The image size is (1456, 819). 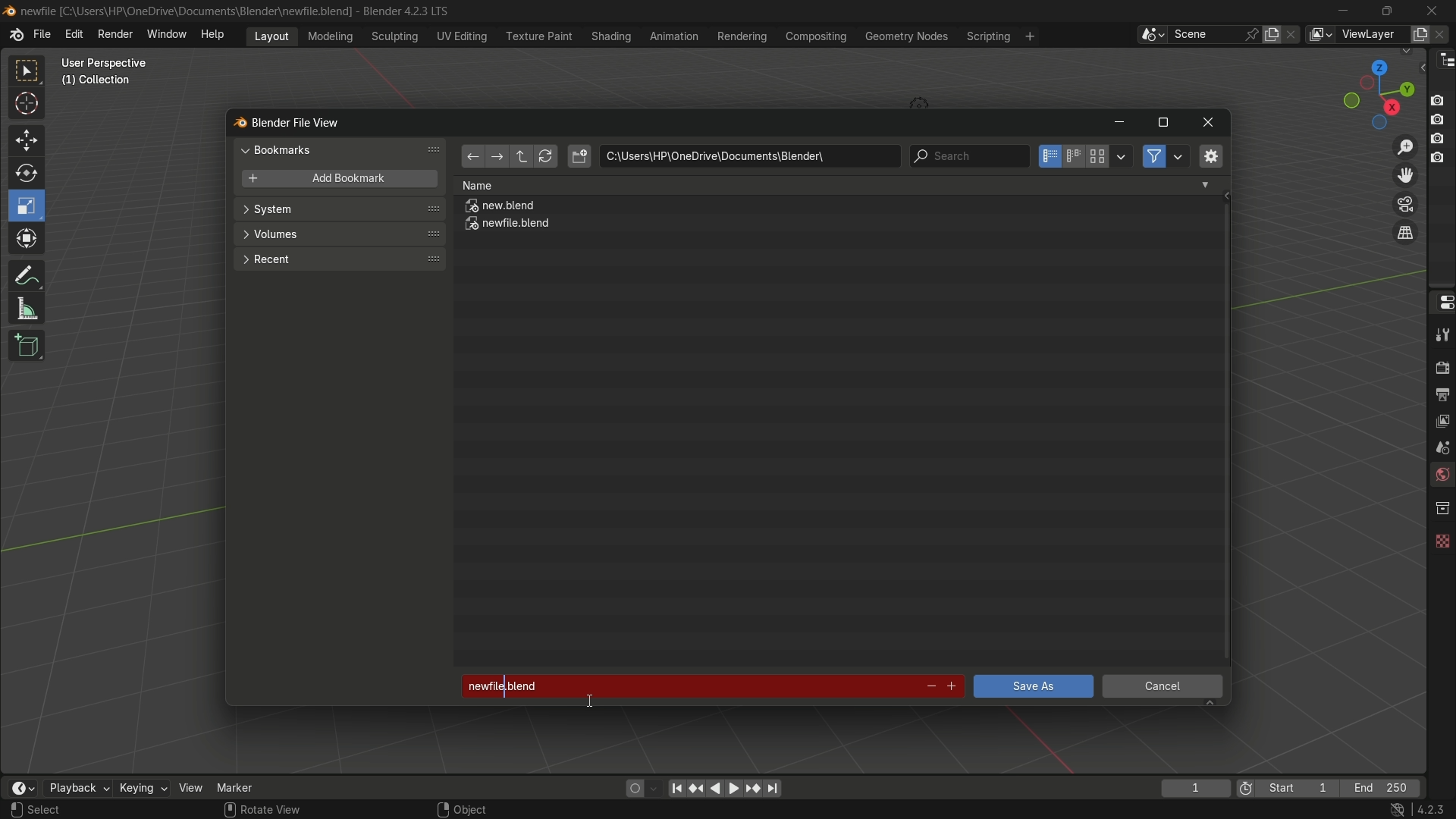 What do you see at coordinates (697, 786) in the screenshot?
I see `jump to keyframe` at bounding box center [697, 786].